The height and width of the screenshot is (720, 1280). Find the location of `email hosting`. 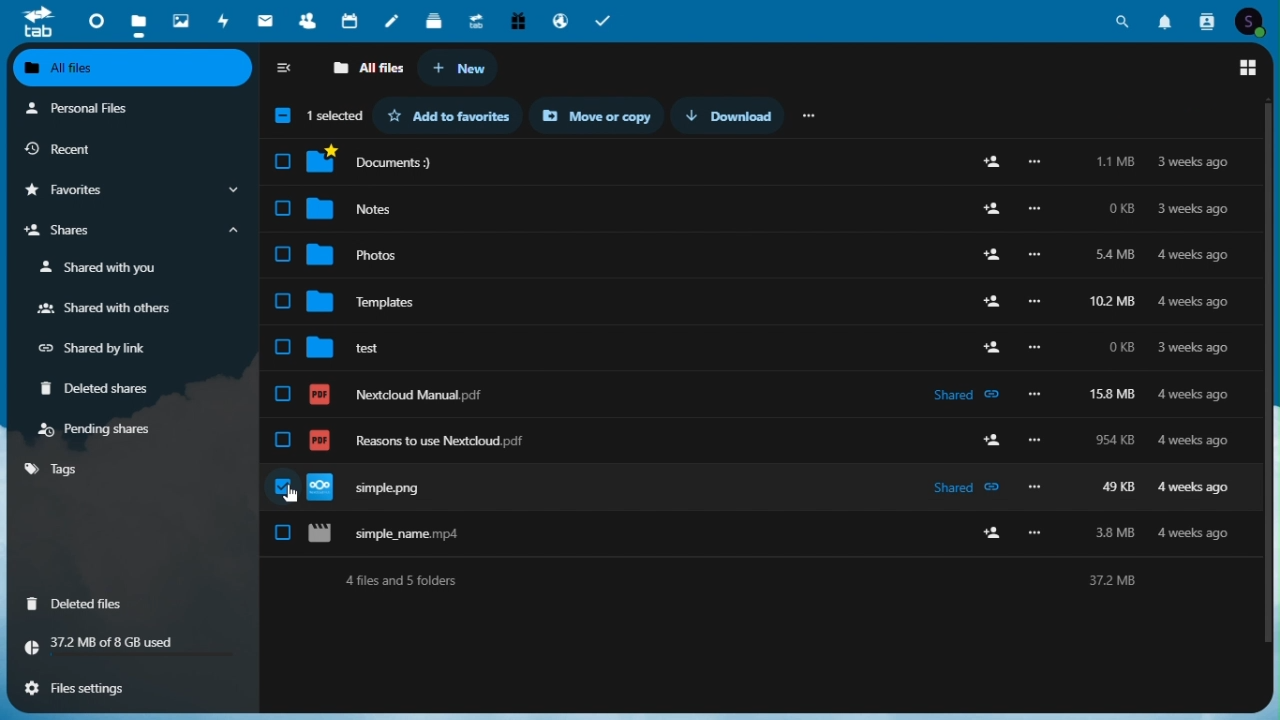

email hosting is located at coordinates (559, 20).